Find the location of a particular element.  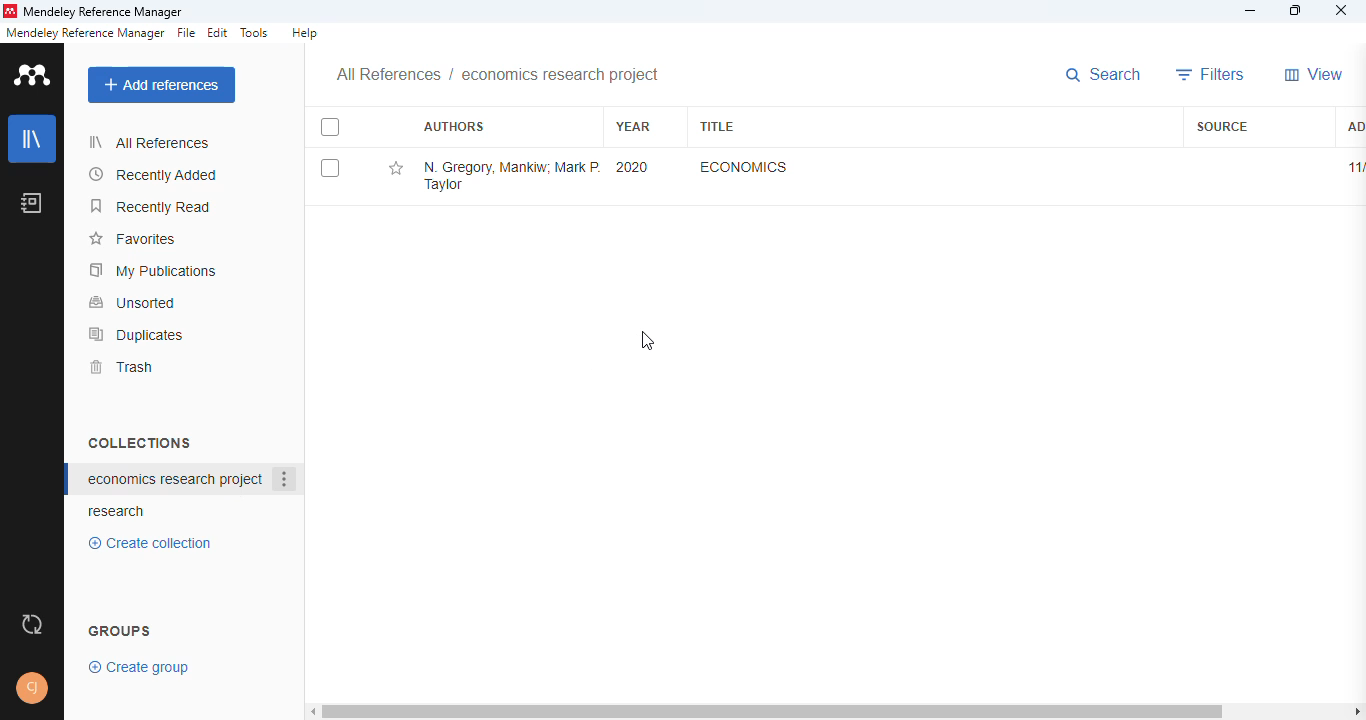

mendeley reference manager is located at coordinates (103, 13).